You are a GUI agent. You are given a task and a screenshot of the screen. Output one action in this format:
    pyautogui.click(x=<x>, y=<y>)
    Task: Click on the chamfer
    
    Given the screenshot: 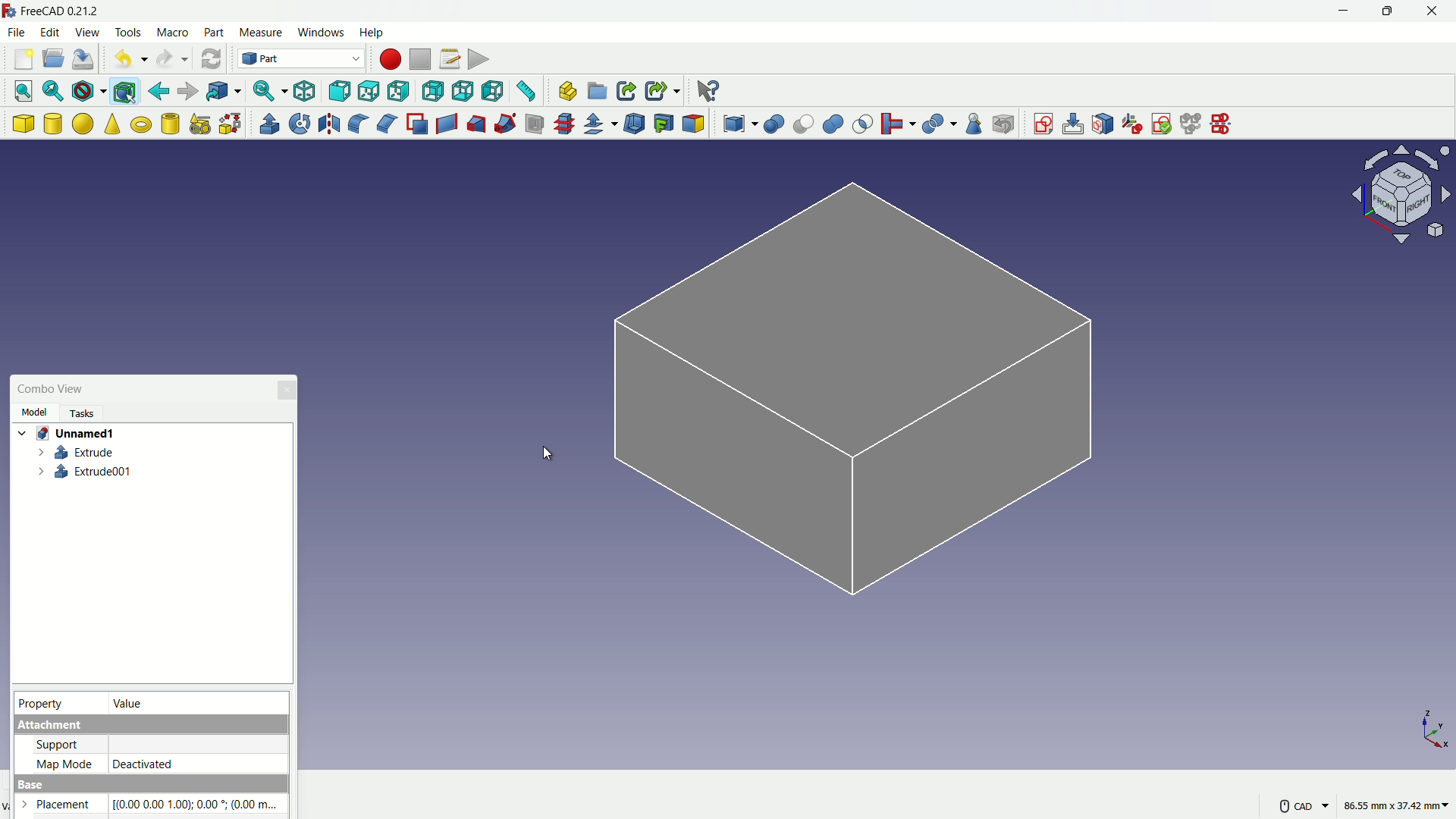 What is the action you would take?
    pyautogui.click(x=387, y=124)
    